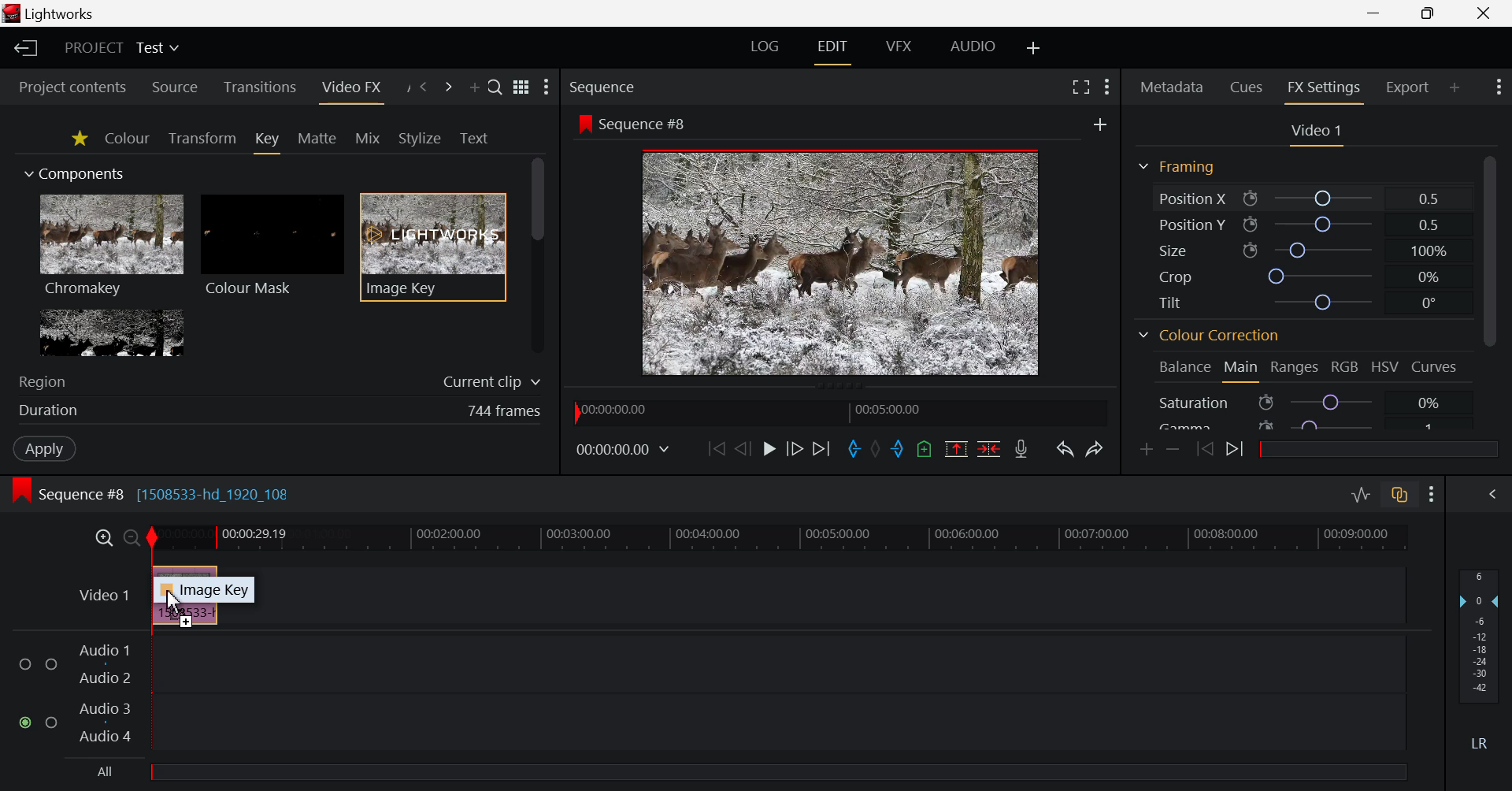 The image size is (1512, 791). Describe the element at coordinates (1321, 302) in the screenshot. I see `tilt` at that location.